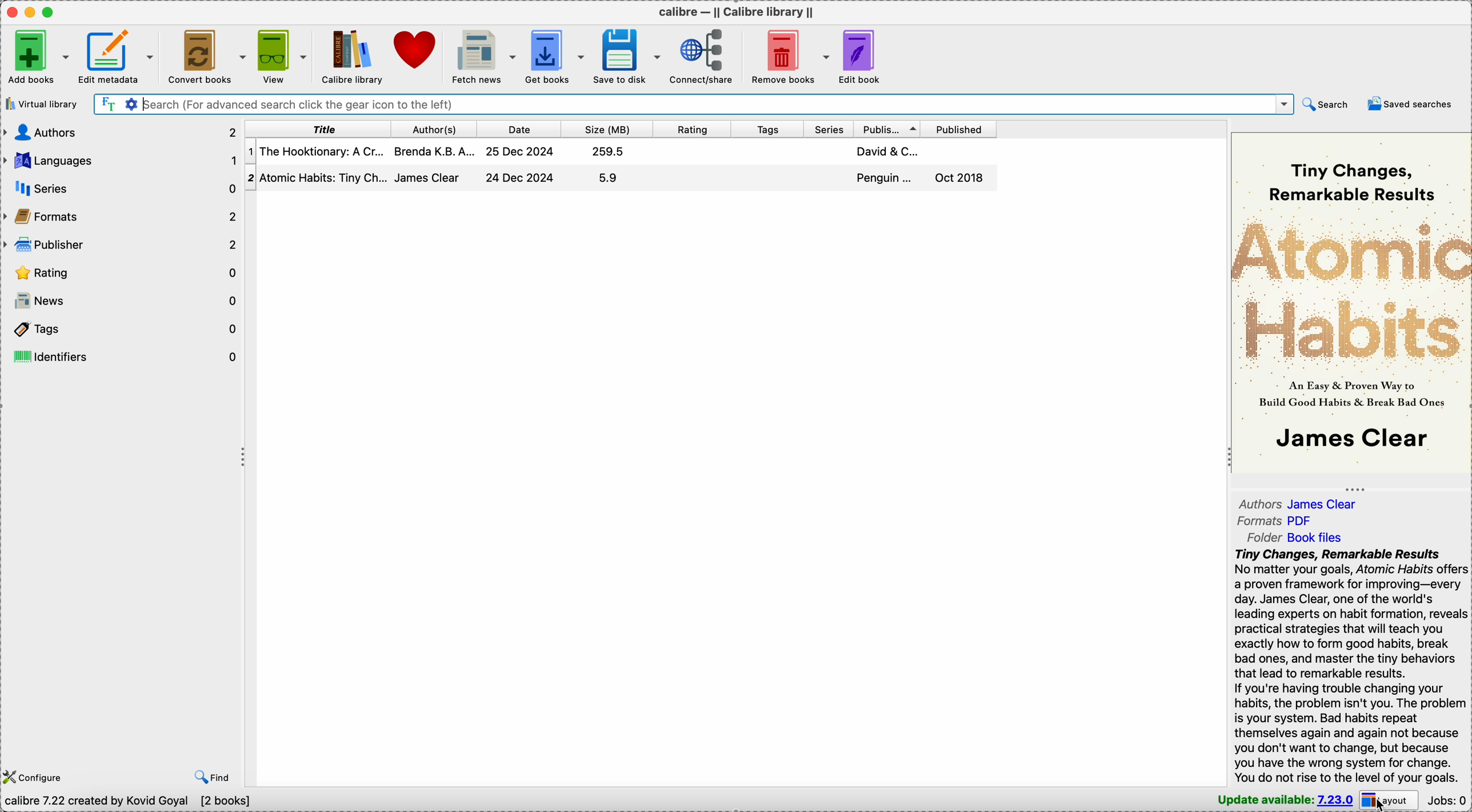  I want to click on cursor, so click(1379, 804).